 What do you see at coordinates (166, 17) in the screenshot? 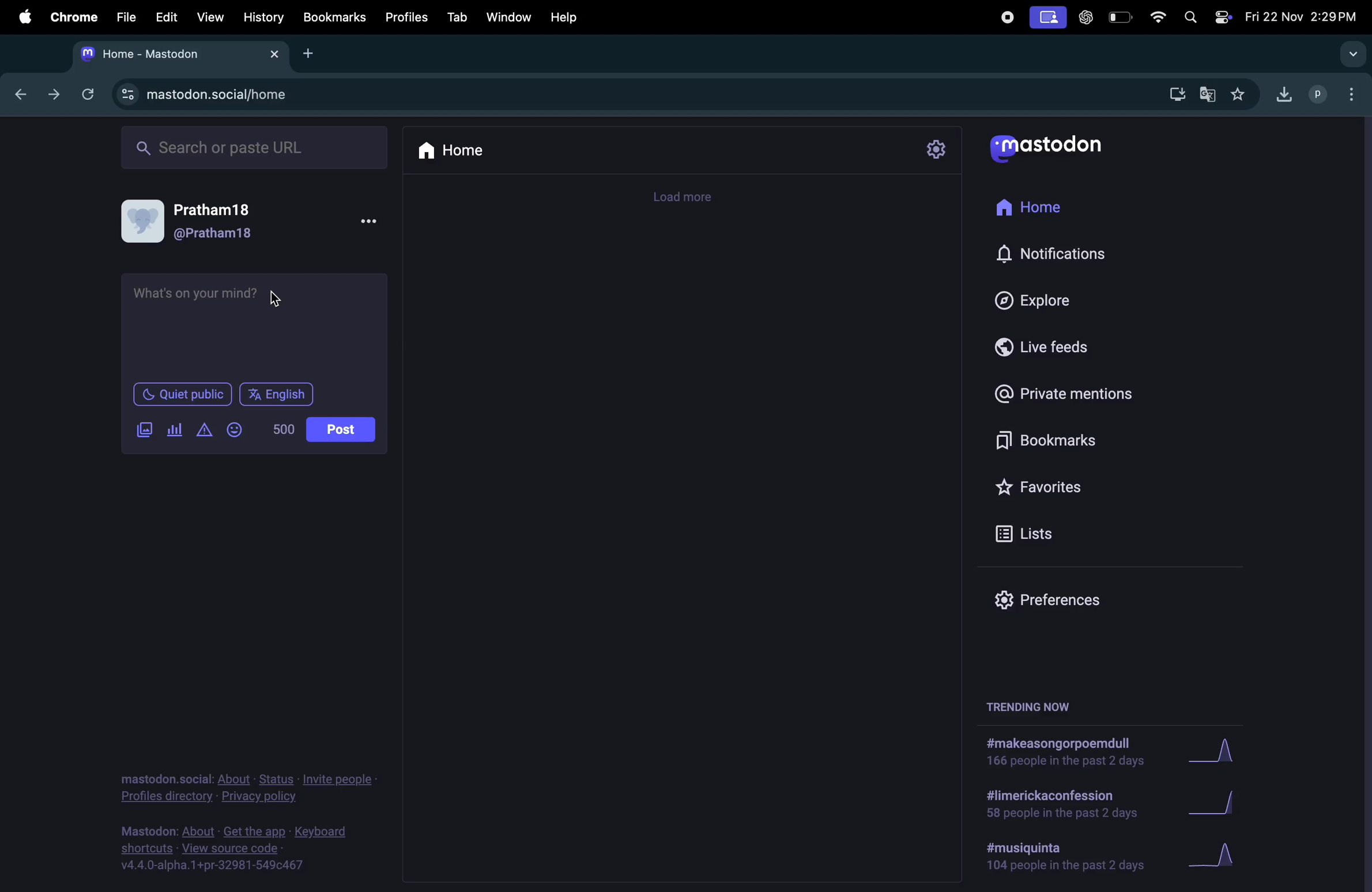
I see `edit` at bounding box center [166, 17].